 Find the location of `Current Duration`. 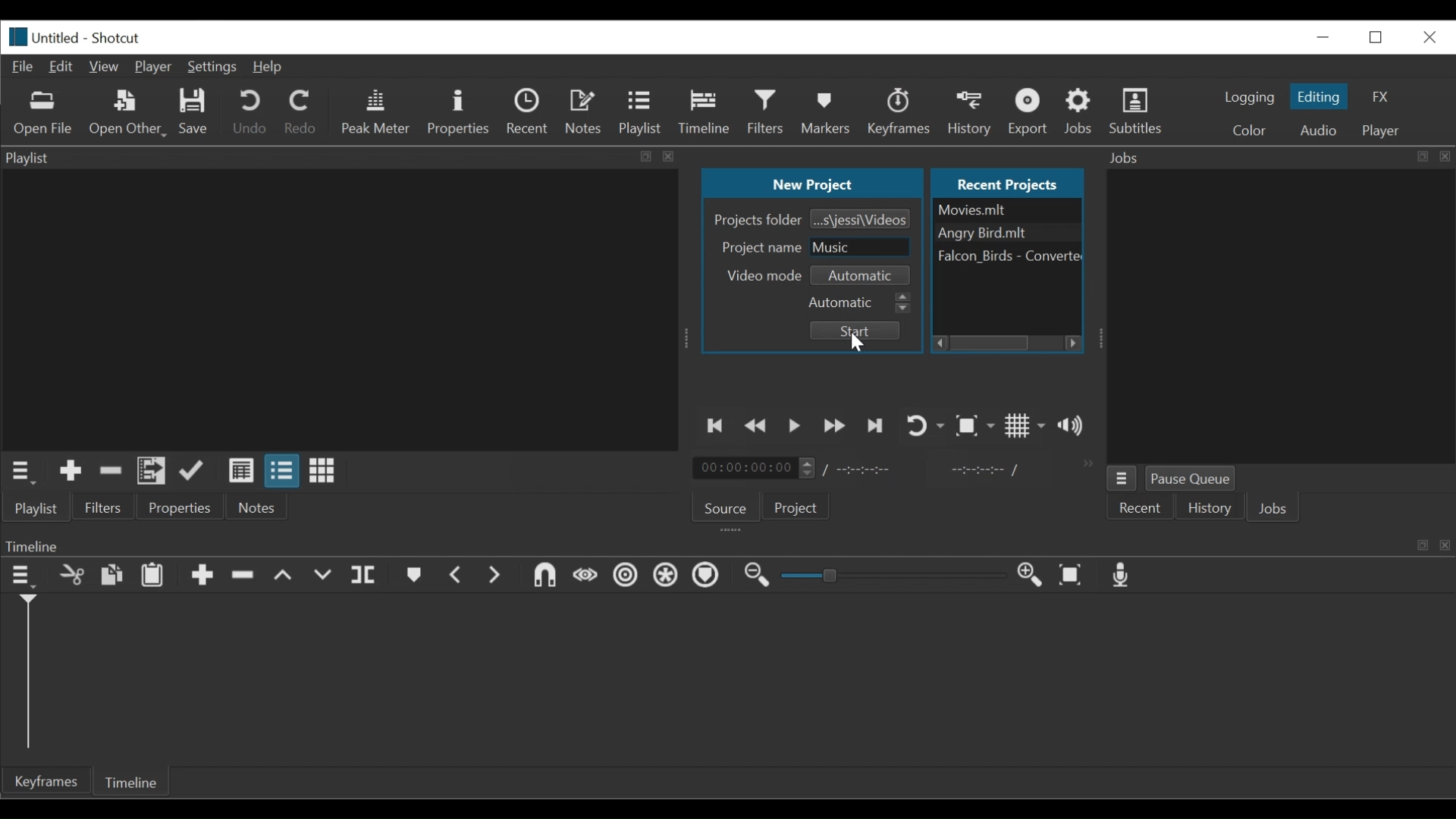

Current Duration is located at coordinates (756, 469).